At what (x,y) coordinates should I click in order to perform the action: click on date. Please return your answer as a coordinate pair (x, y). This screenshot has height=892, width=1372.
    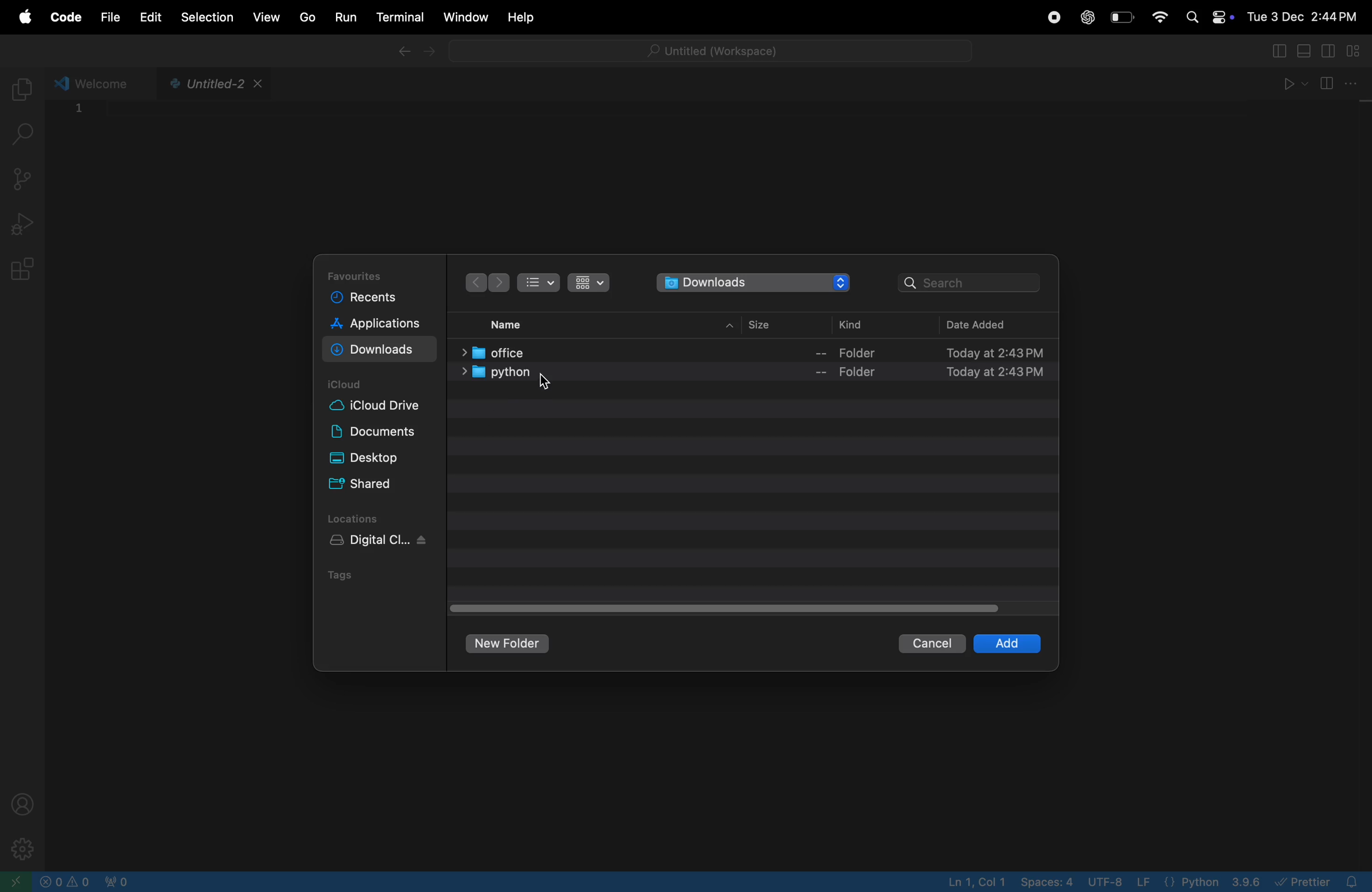
    Looking at the image, I should click on (975, 351).